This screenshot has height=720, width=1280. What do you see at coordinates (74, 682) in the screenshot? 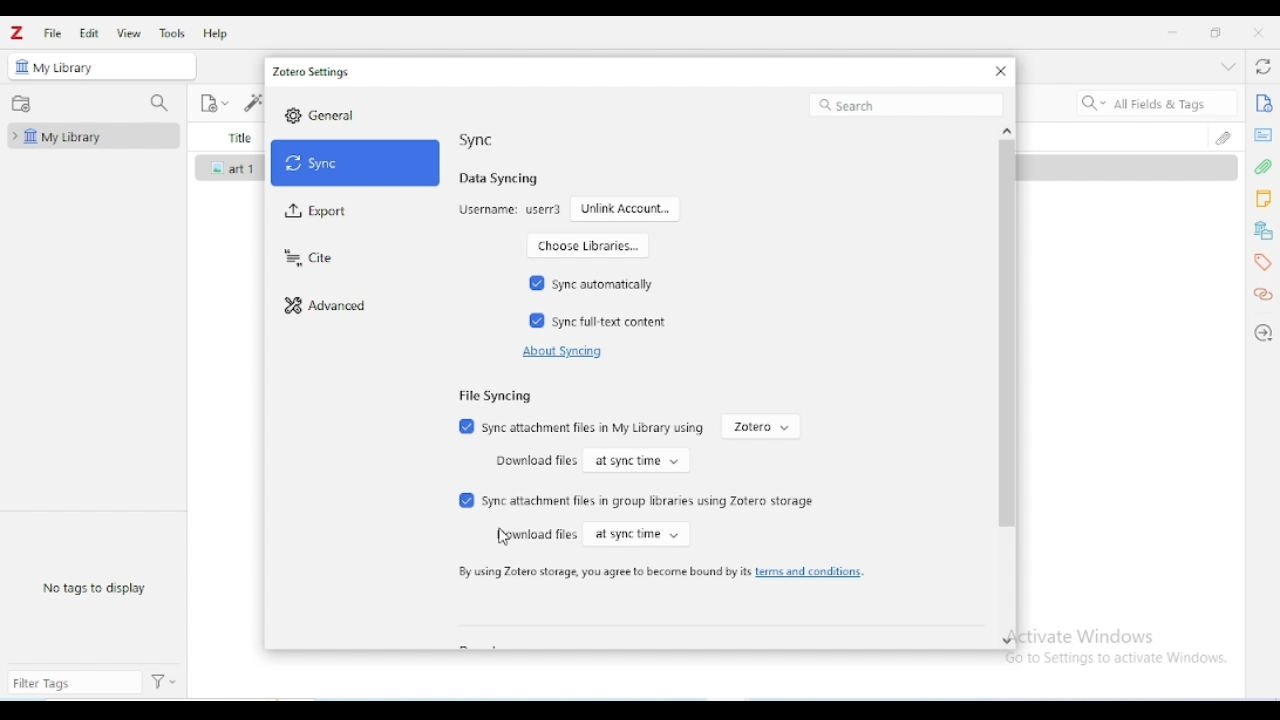
I see `filter tags` at bounding box center [74, 682].